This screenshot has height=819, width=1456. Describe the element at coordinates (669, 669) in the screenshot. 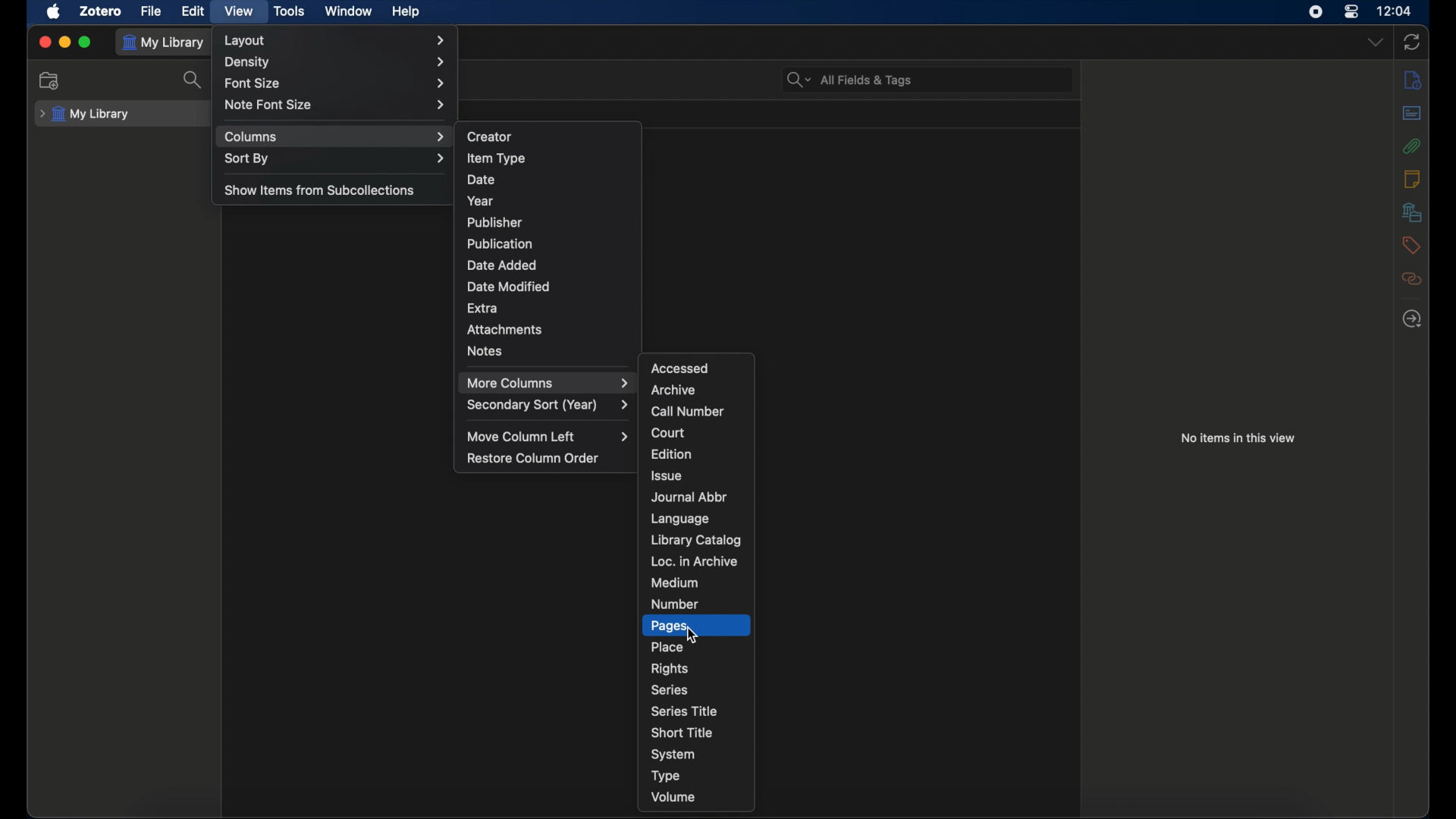

I see `rights` at that location.